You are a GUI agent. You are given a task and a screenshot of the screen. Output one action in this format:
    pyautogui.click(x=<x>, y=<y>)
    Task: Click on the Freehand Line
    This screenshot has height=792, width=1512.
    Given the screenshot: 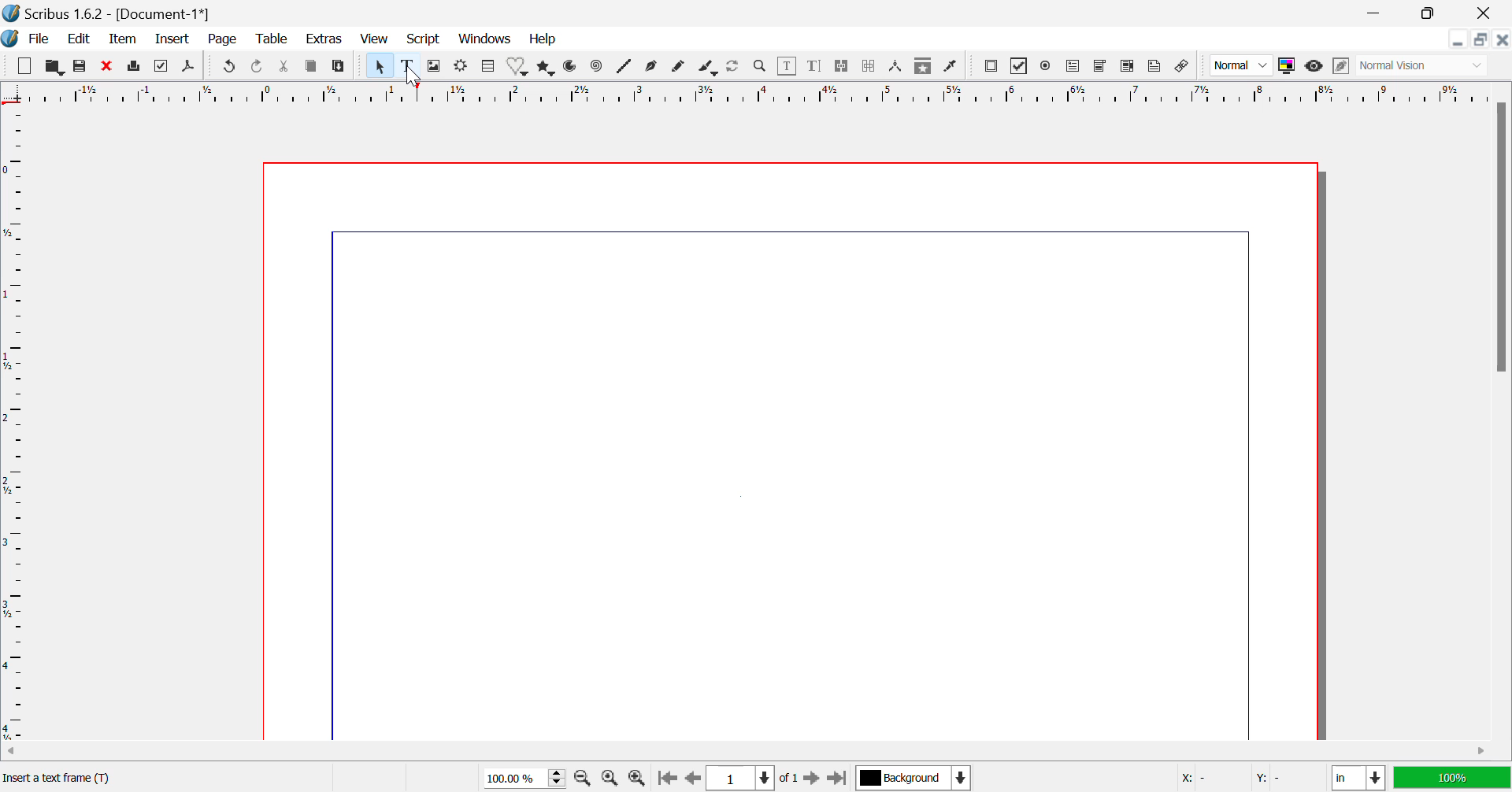 What is the action you would take?
    pyautogui.click(x=679, y=69)
    